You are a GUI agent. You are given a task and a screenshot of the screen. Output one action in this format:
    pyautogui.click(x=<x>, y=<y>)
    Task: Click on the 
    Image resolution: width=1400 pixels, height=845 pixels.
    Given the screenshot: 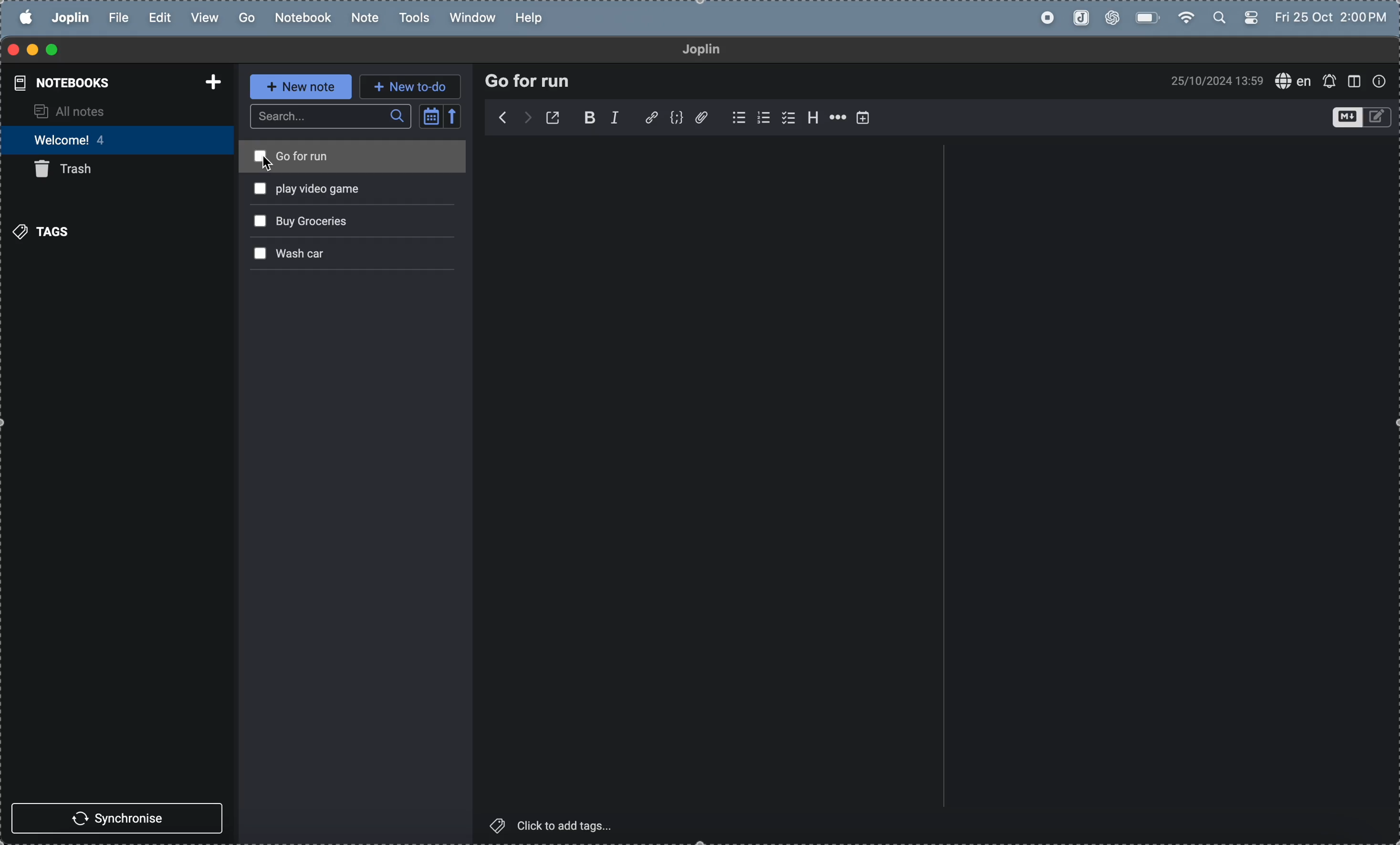 What is the action you would take?
    pyautogui.click(x=591, y=119)
    